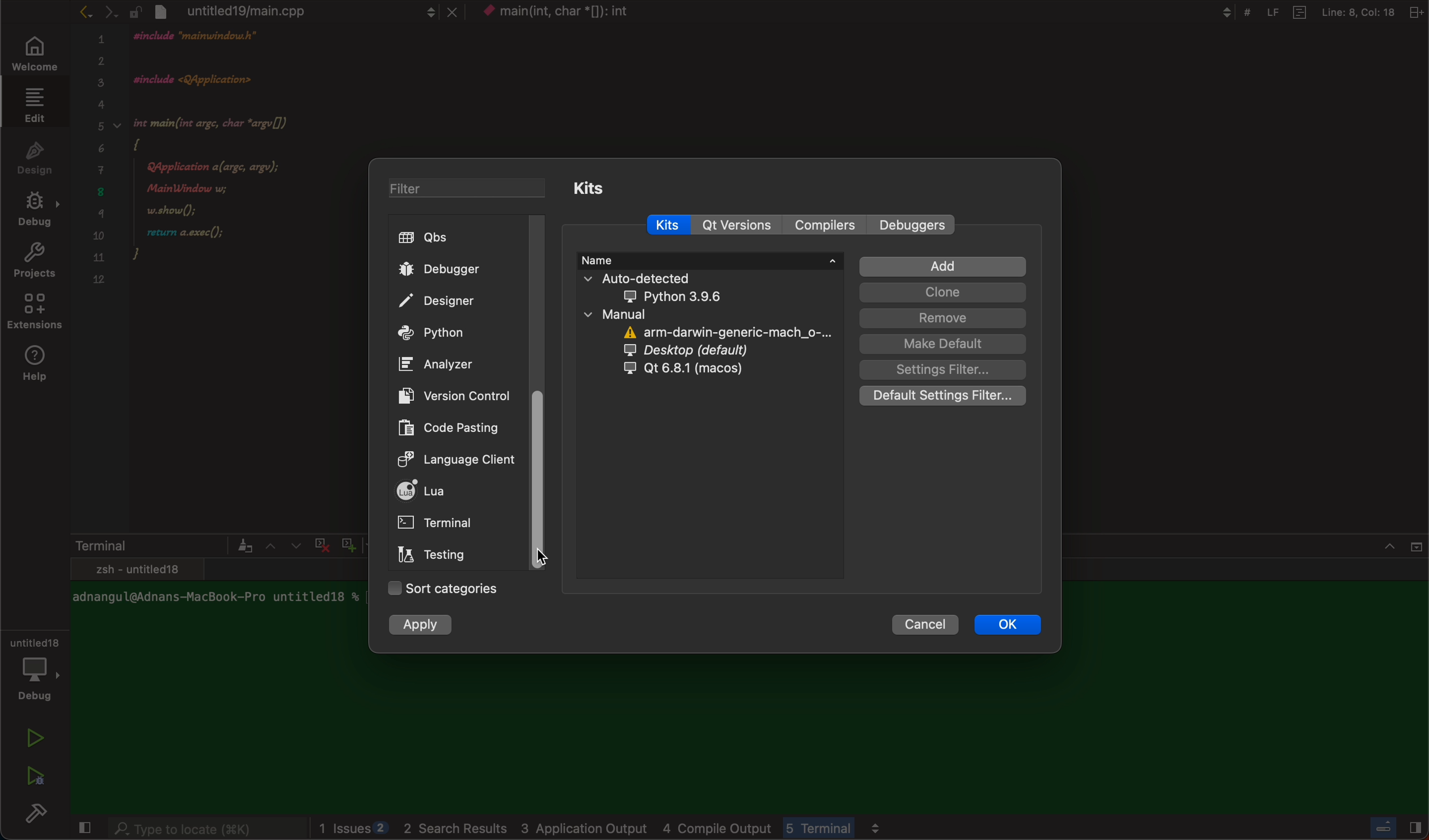 This screenshot has height=840, width=1429. Describe the element at coordinates (36, 315) in the screenshot. I see `extensions` at that location.